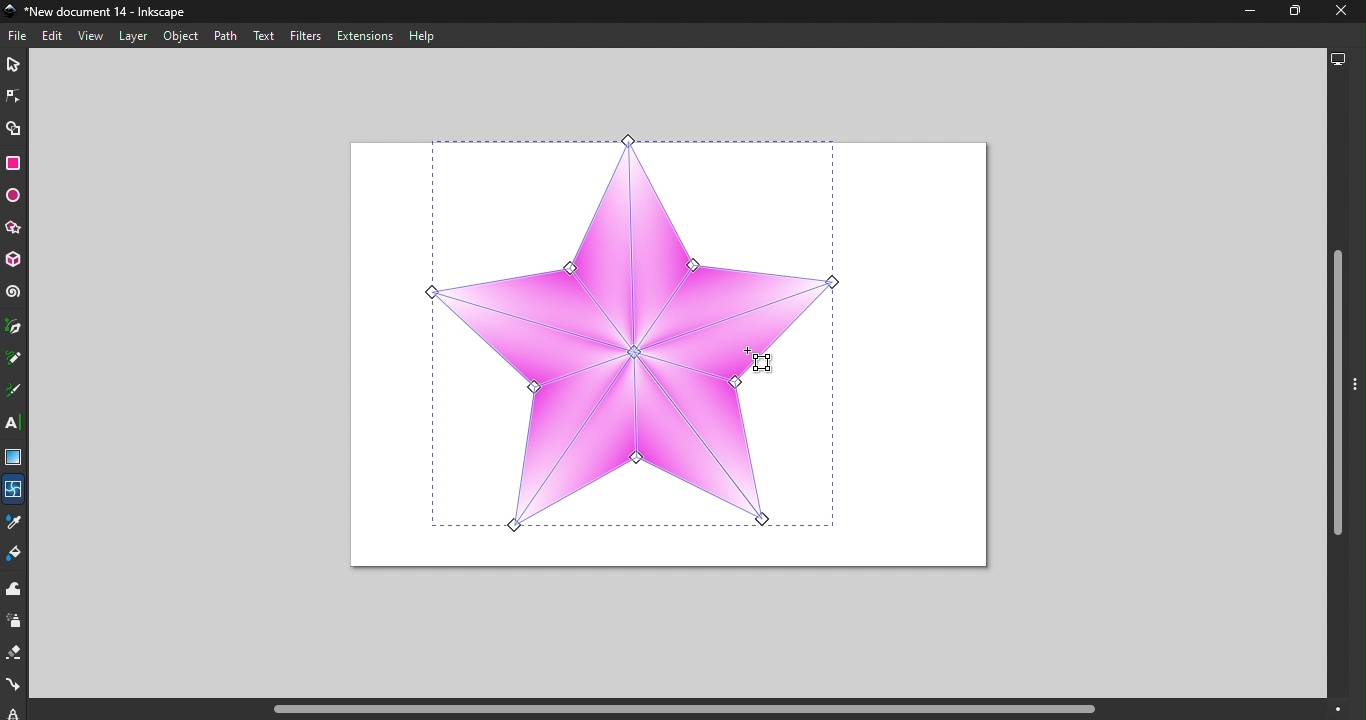 The width and height of the screenshot is (1366, 720). I want to click on Canvas, so click(669, 355).